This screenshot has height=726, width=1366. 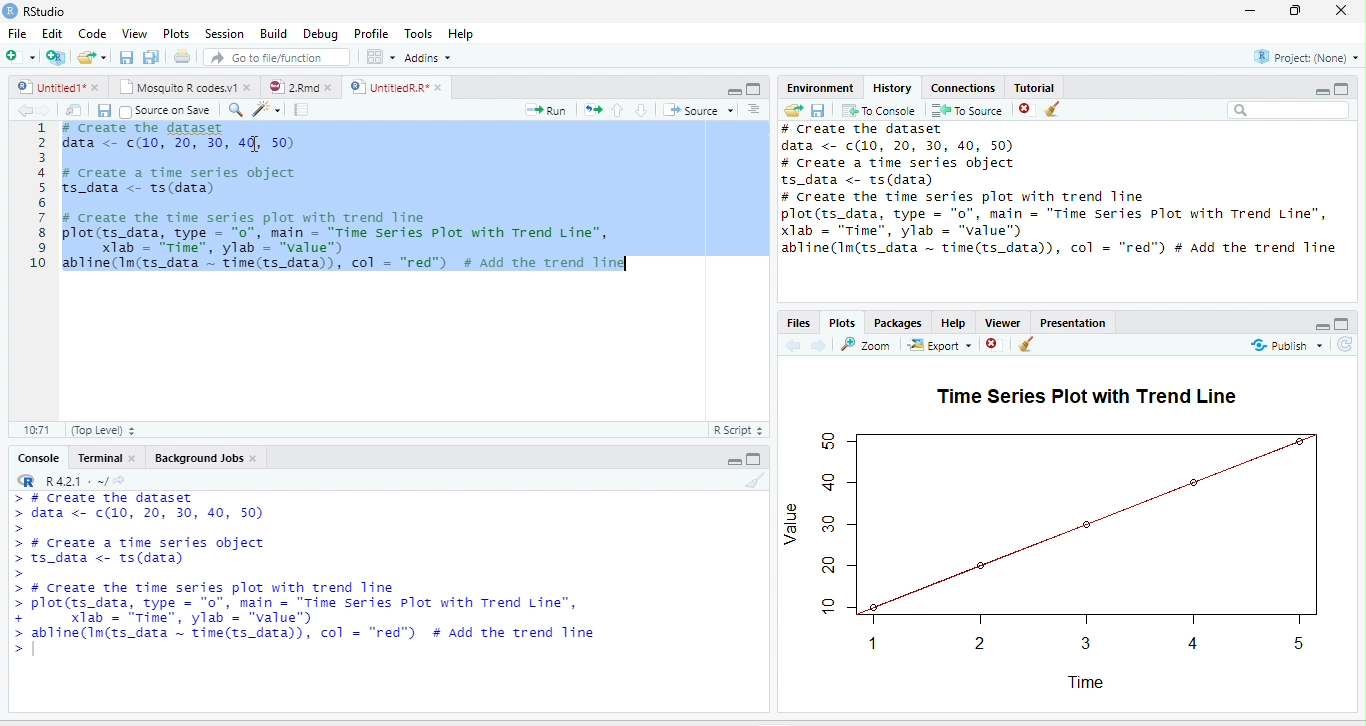 What do you see at coordinates (369, 34) in the screenshot?
I see `Profile` at bounding box center [369, 34].